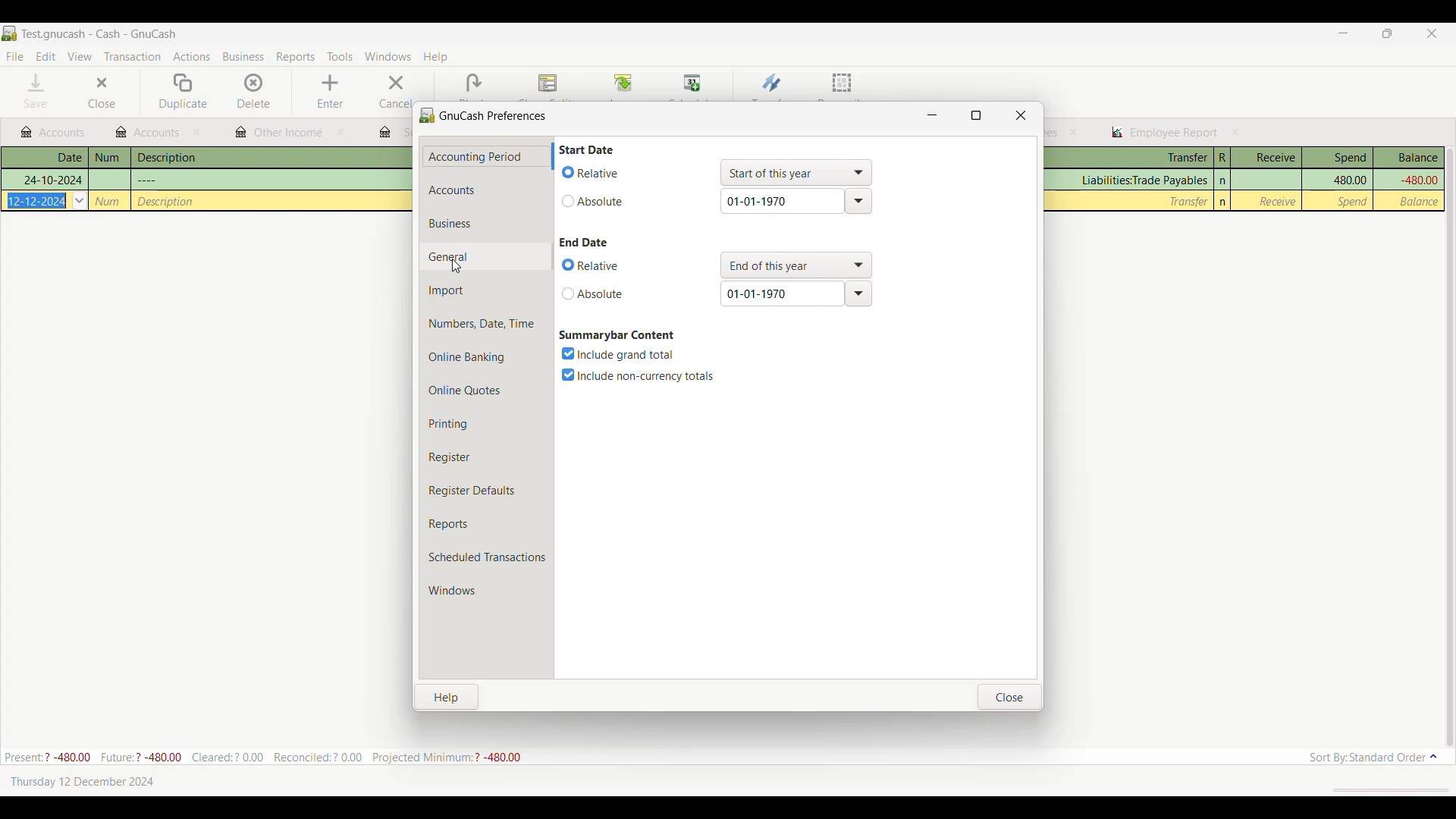 The height and width of the screenshot is (819, 1456). What do you see at coordinates (486, 391) in the screenshot?
I see `Online quotes` at bounding box center [486, 391].